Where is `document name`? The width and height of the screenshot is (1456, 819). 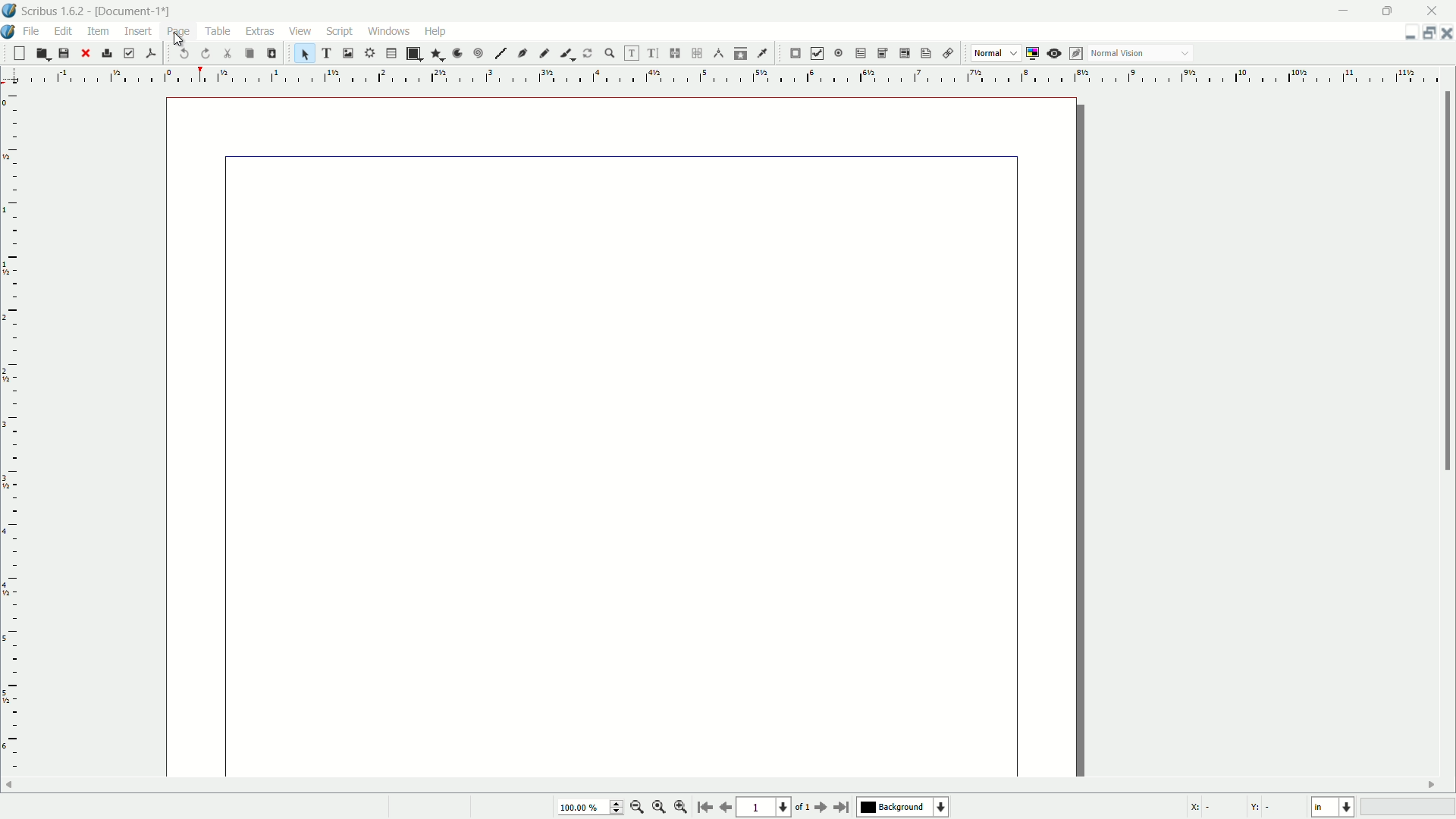
document name is located at coordinates (136, 11).